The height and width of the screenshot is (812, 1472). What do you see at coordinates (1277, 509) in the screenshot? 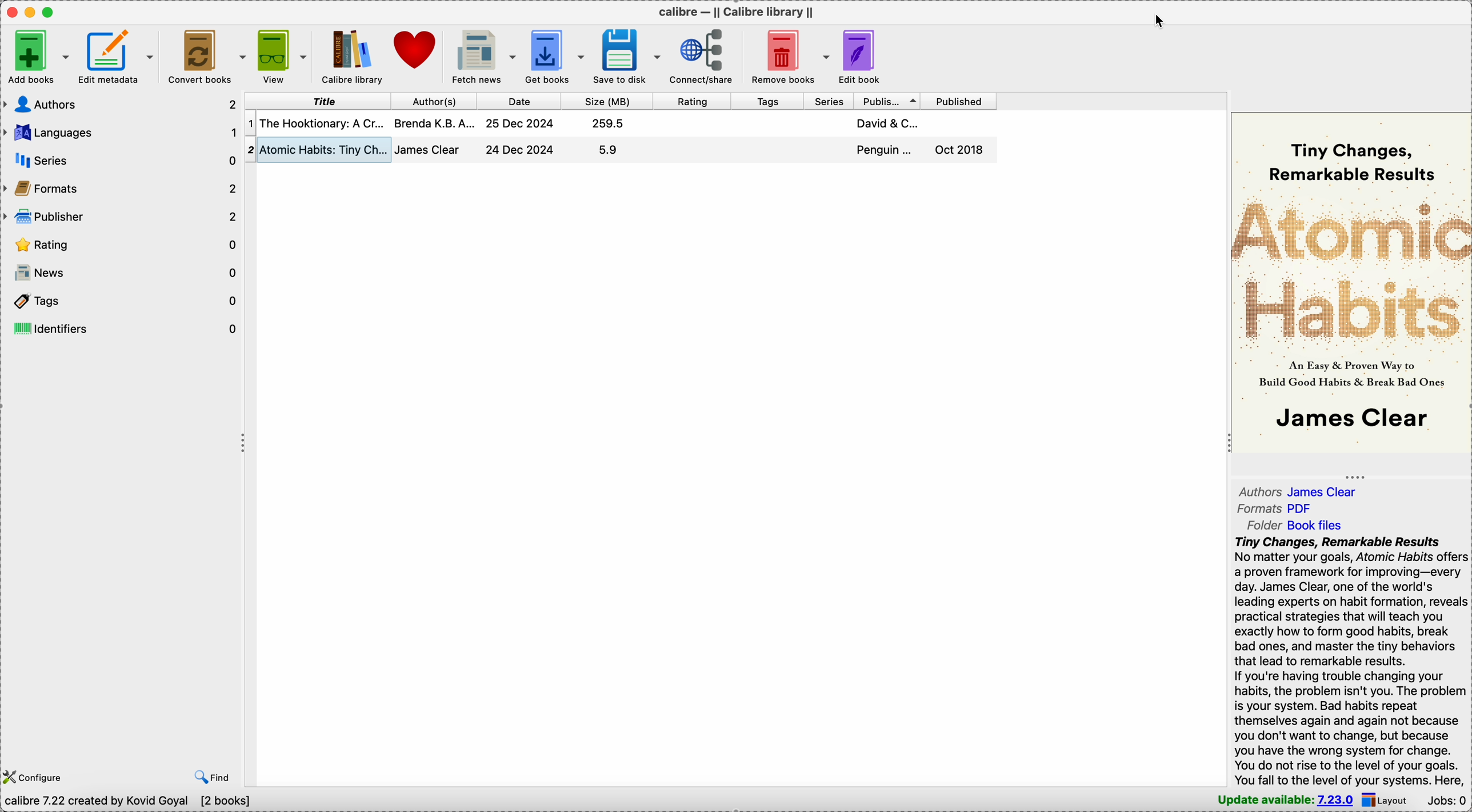
I see `formats PDF` at bounding box center [1277, 509].